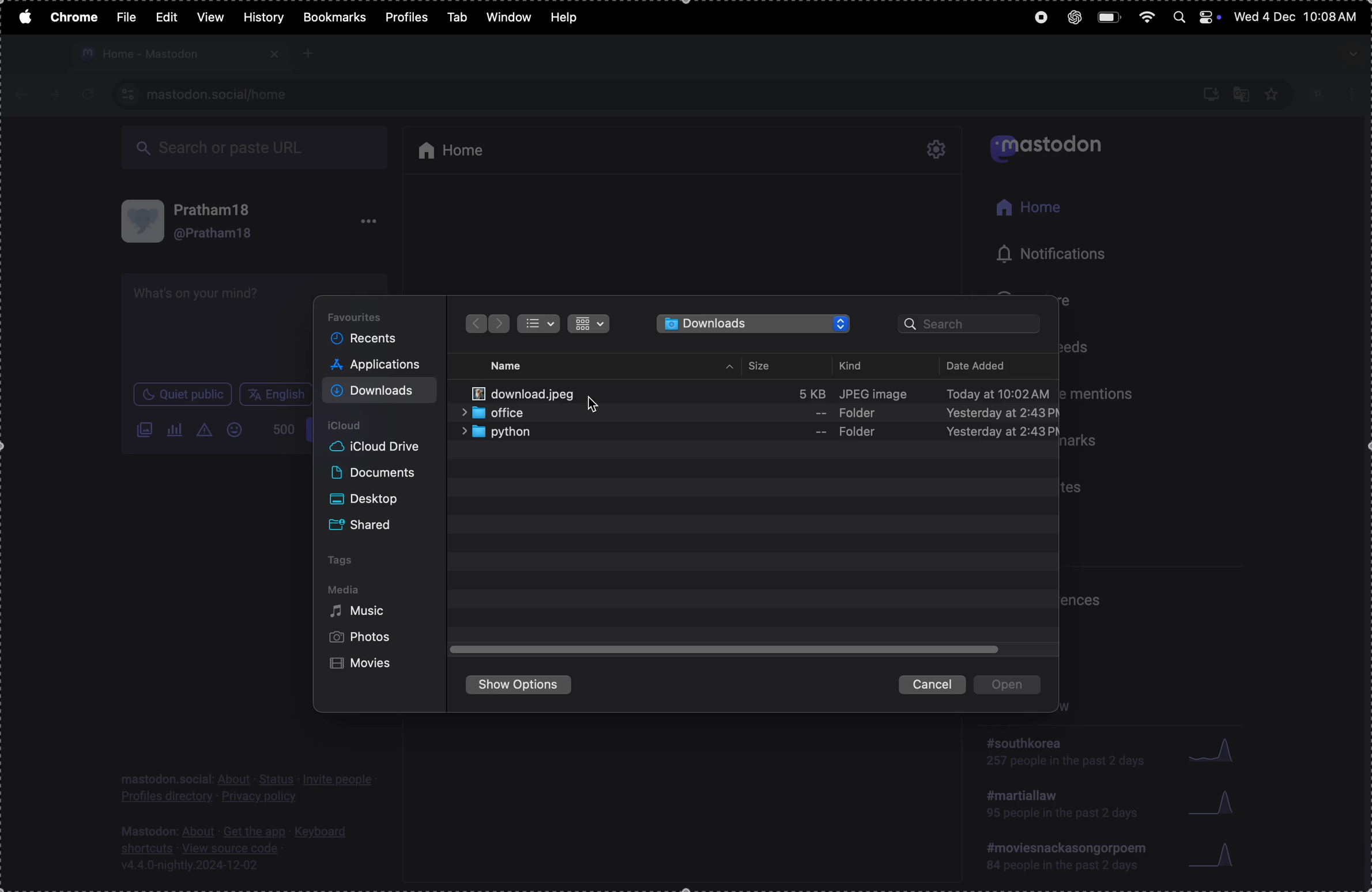  I want to click on add content warning, so click(207, 432).